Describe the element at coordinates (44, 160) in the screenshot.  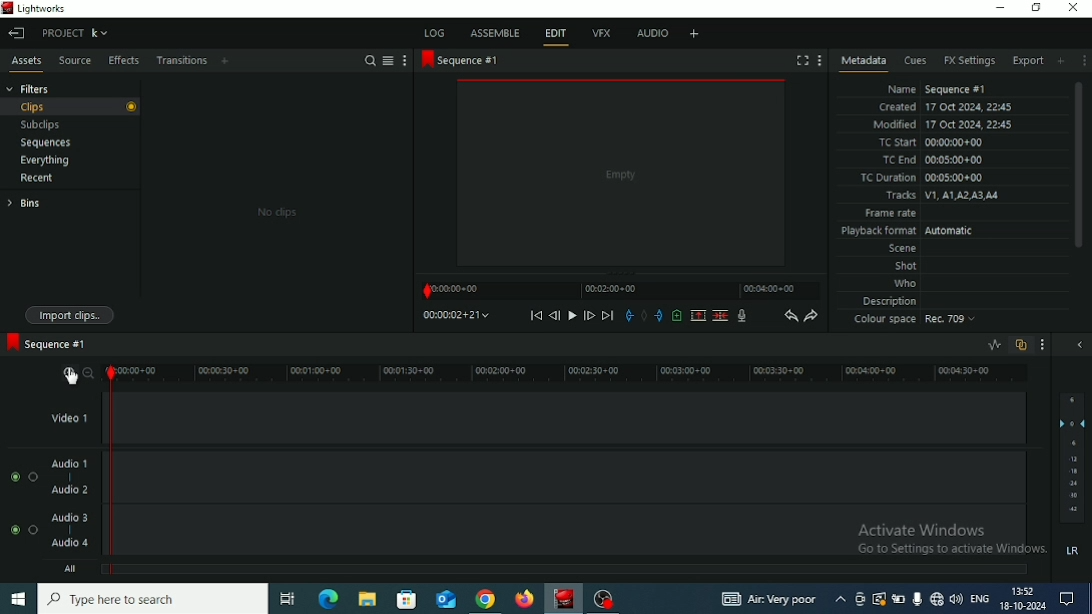
I see `Everything` at that location.